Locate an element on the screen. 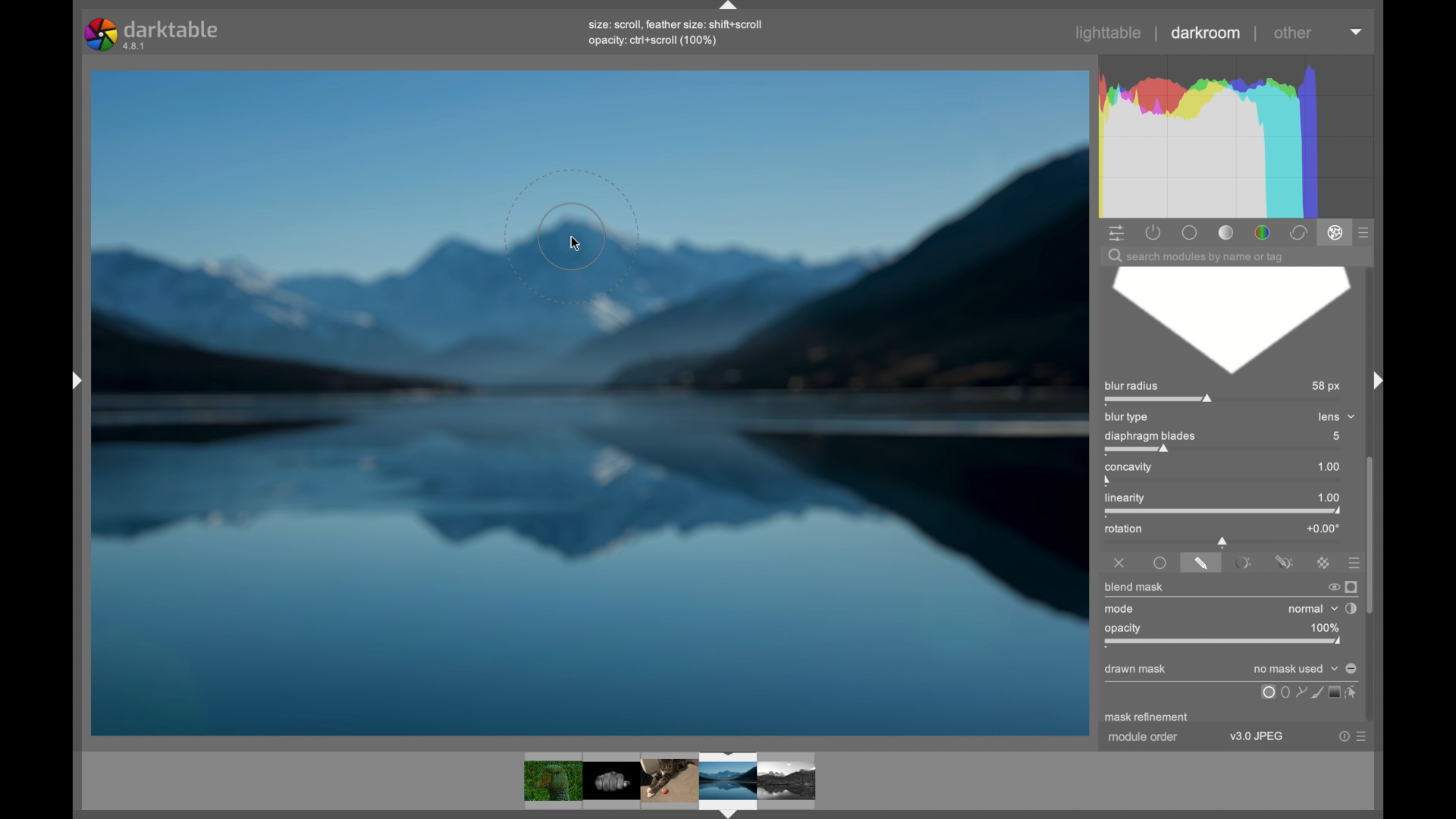 The height and width of the screenshot is (819, 1456). no mask used dropdown is located at coordinates (1294, 670).